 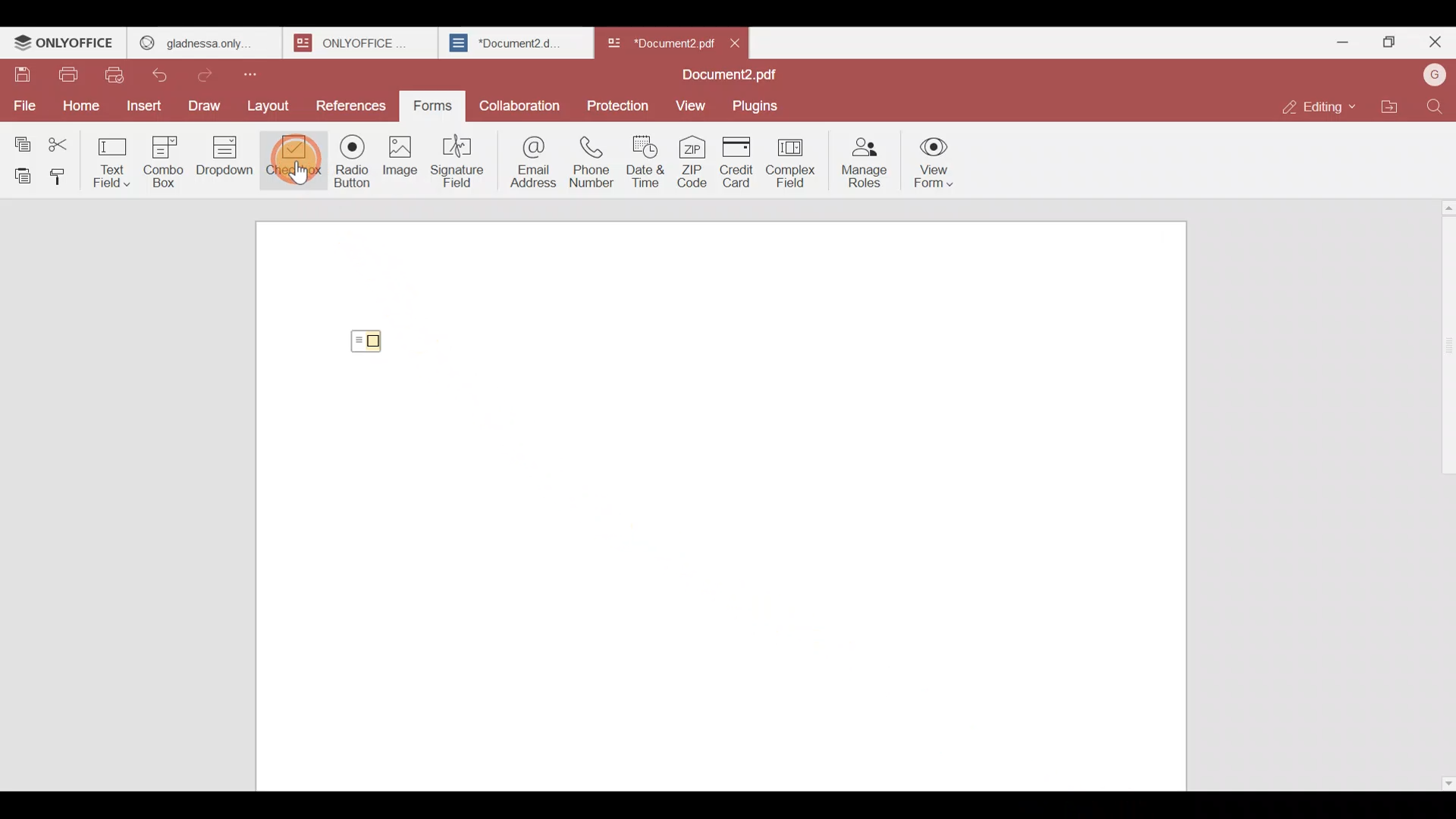 I want to click on Maximize, so click(x=1386, y=41).